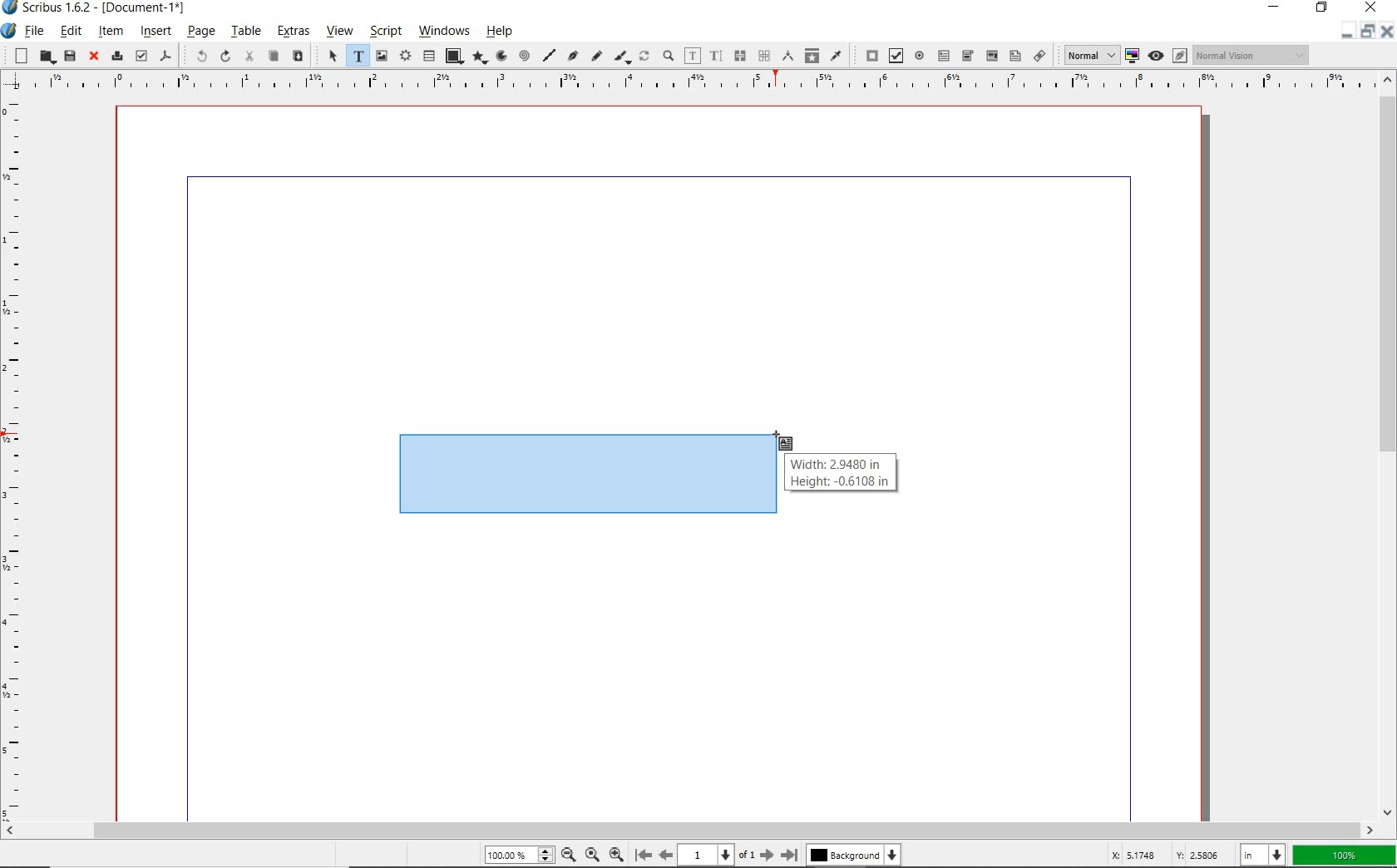 The height and width of the screenshot is (868, 1397). What do you see at coordinates (116, 55) in the screenshot?
I see `print` at bounding box center [116, 55].